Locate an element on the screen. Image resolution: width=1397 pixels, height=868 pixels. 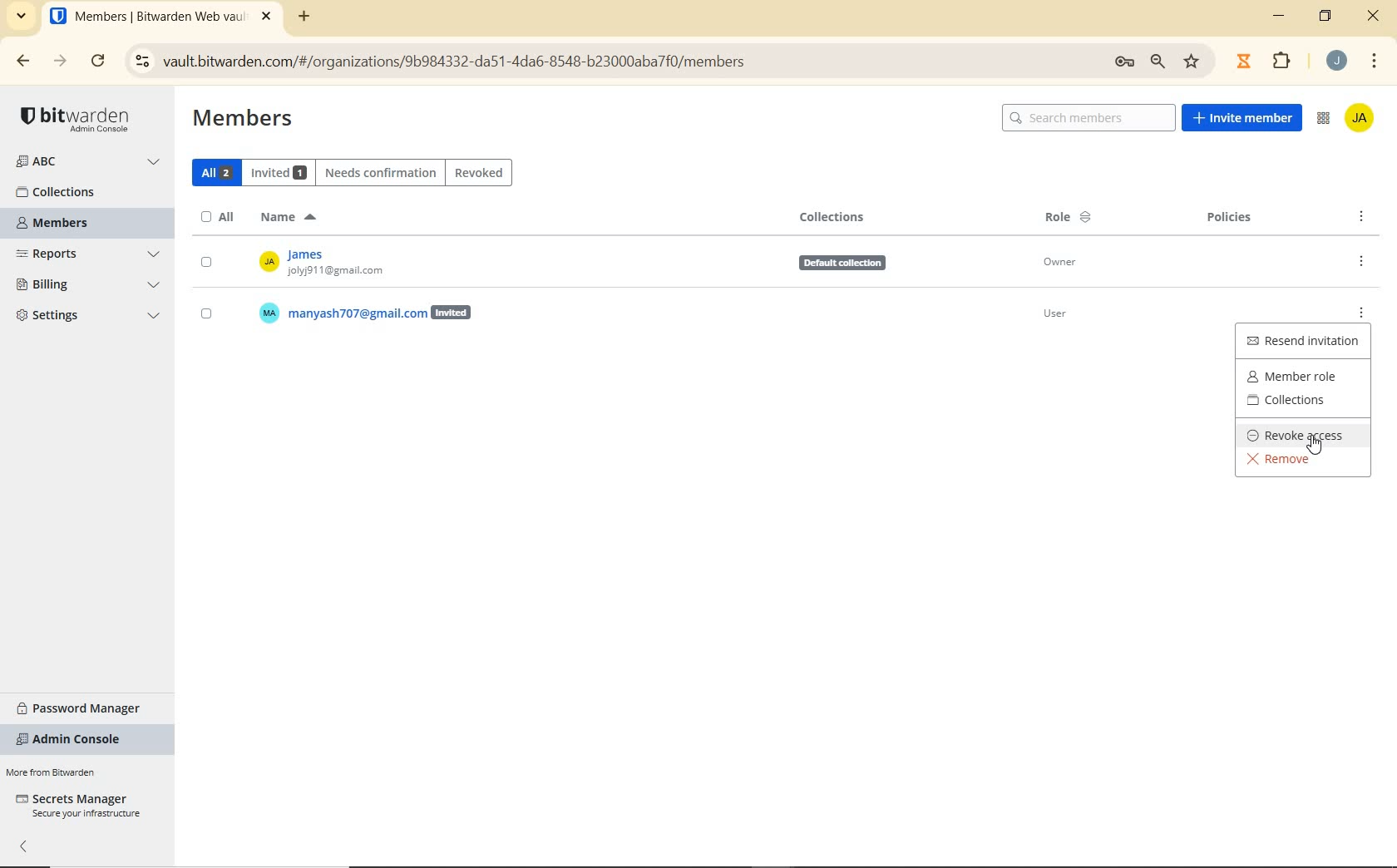
ADMIN CONSOLE is located at coordinates (74, 740).